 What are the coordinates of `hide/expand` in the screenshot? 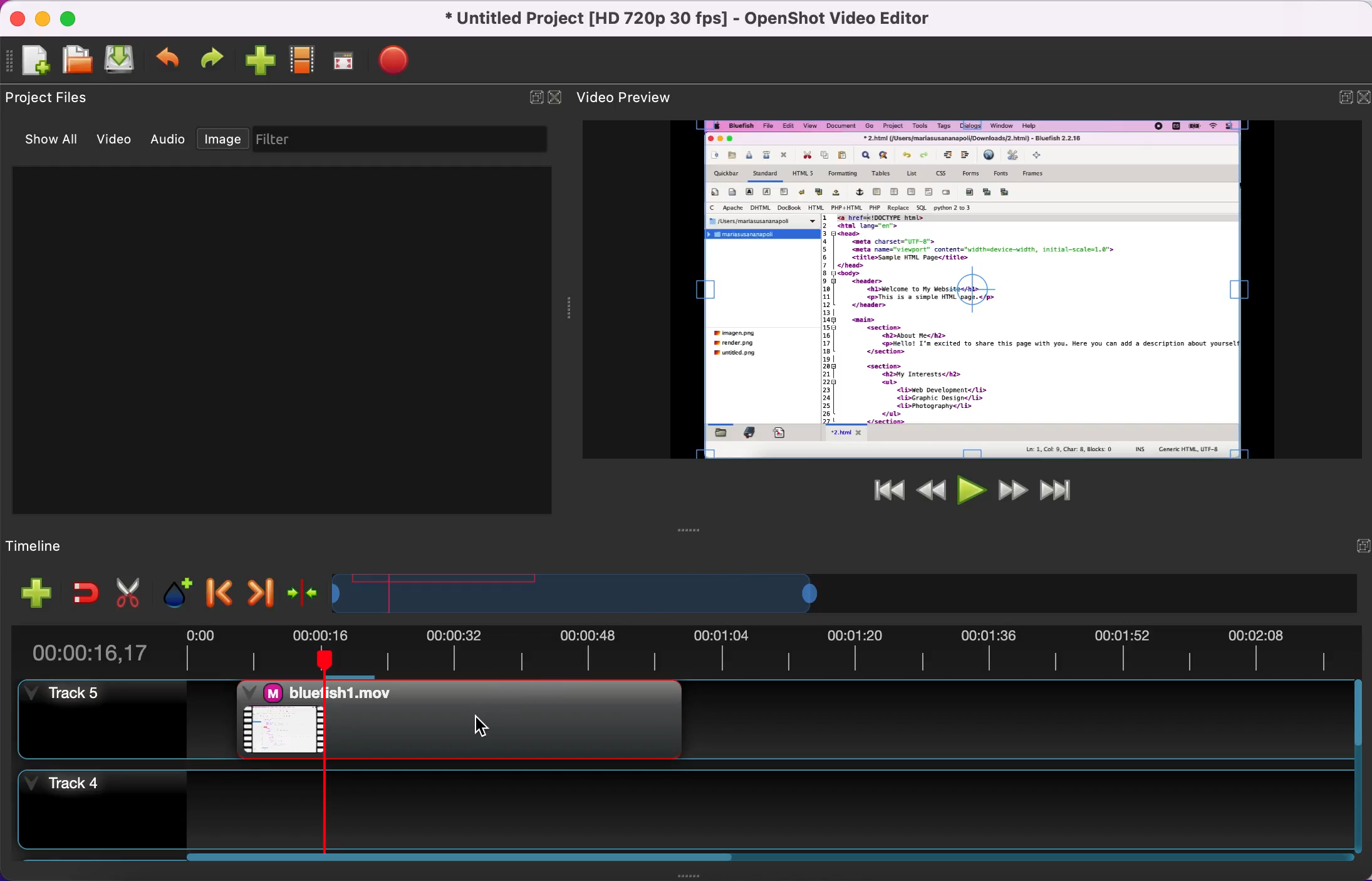 It's located at (1354, 547).